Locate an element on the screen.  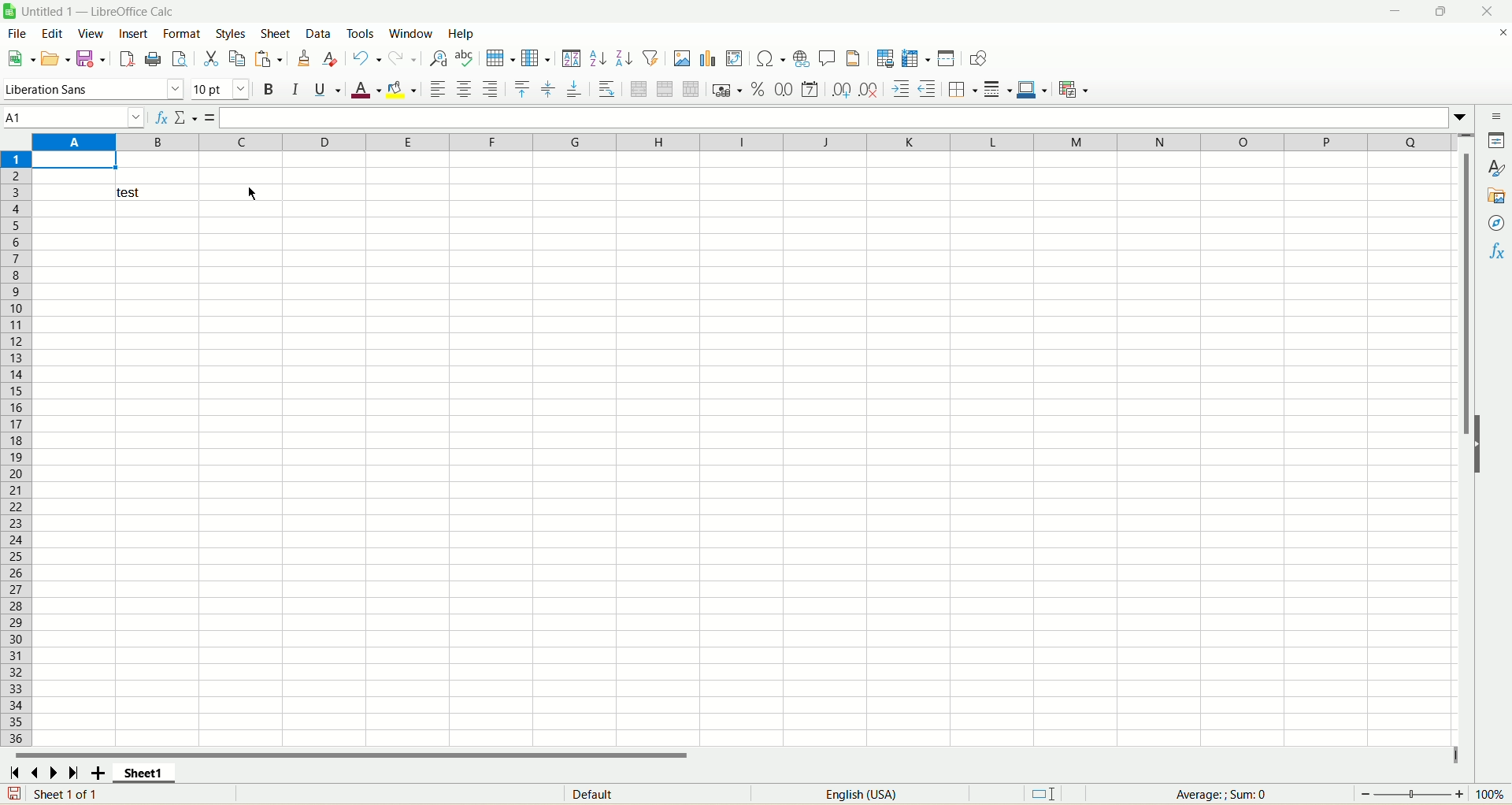
Default is located at coordinates (658, 793).